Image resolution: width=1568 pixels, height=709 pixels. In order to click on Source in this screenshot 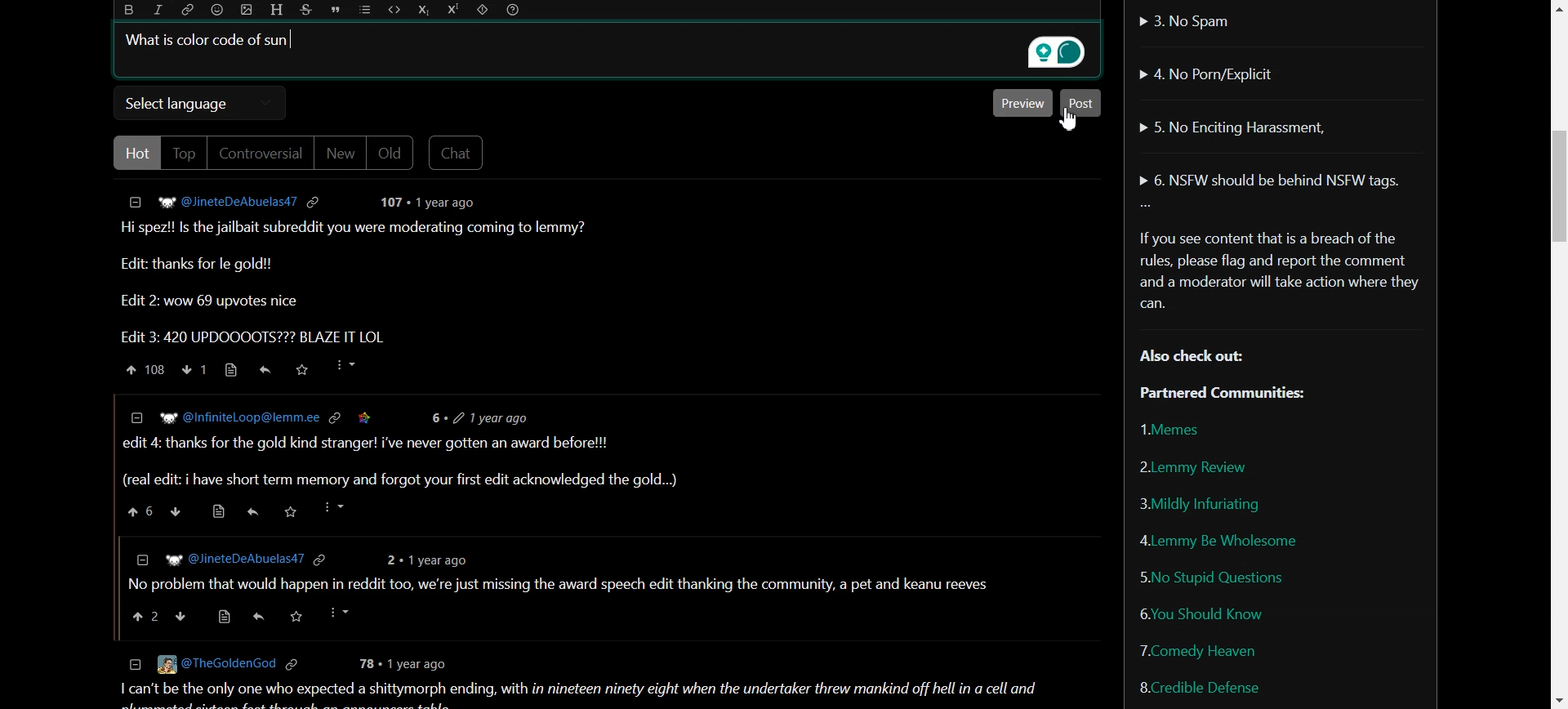, I will do `click(232, 370)`.